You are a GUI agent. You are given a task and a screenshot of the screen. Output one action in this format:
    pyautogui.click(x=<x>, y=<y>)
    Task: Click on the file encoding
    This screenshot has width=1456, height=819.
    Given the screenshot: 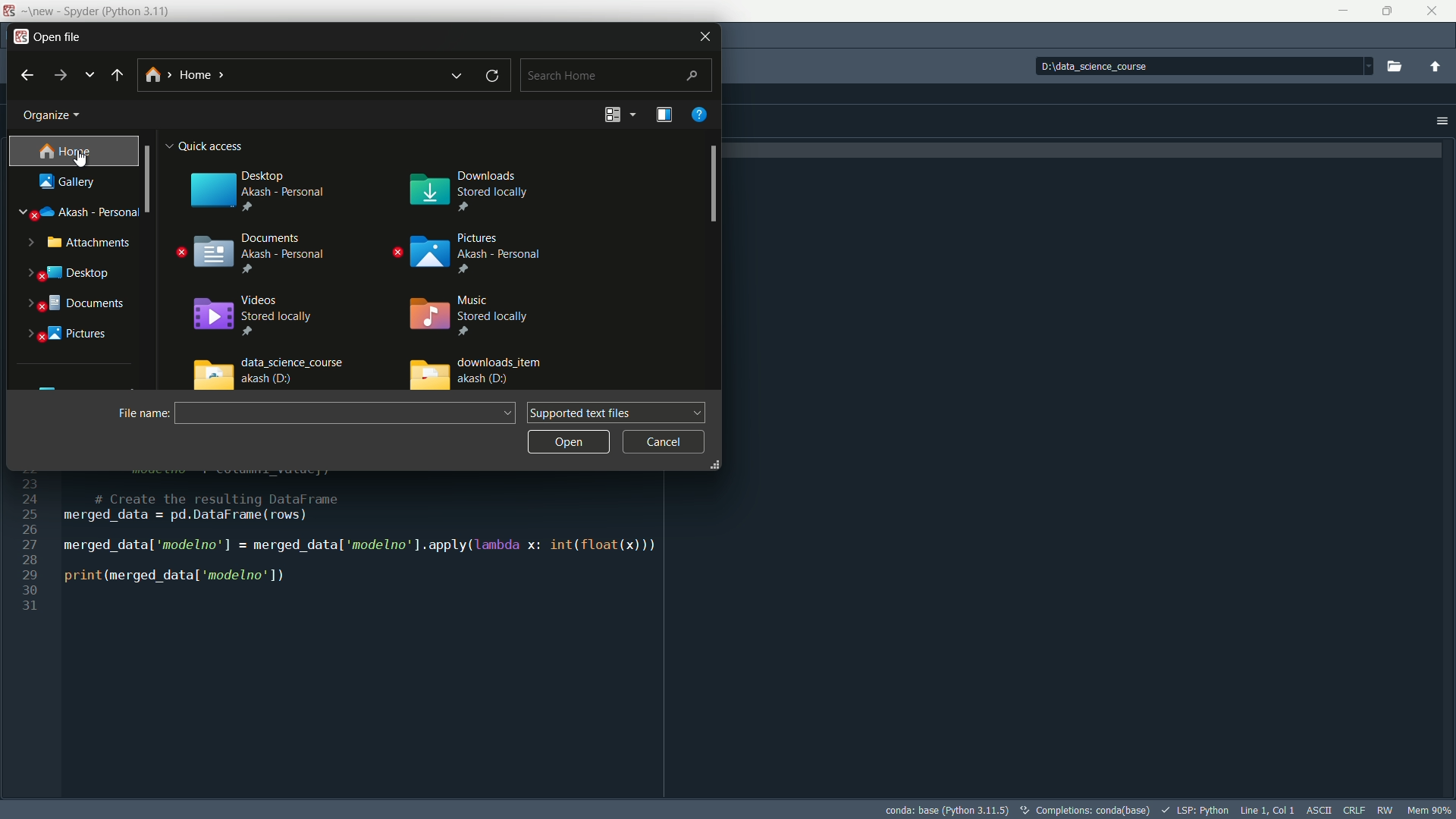 What is the action you would take?
    pyautogui.click(x=1351, y=811)
    